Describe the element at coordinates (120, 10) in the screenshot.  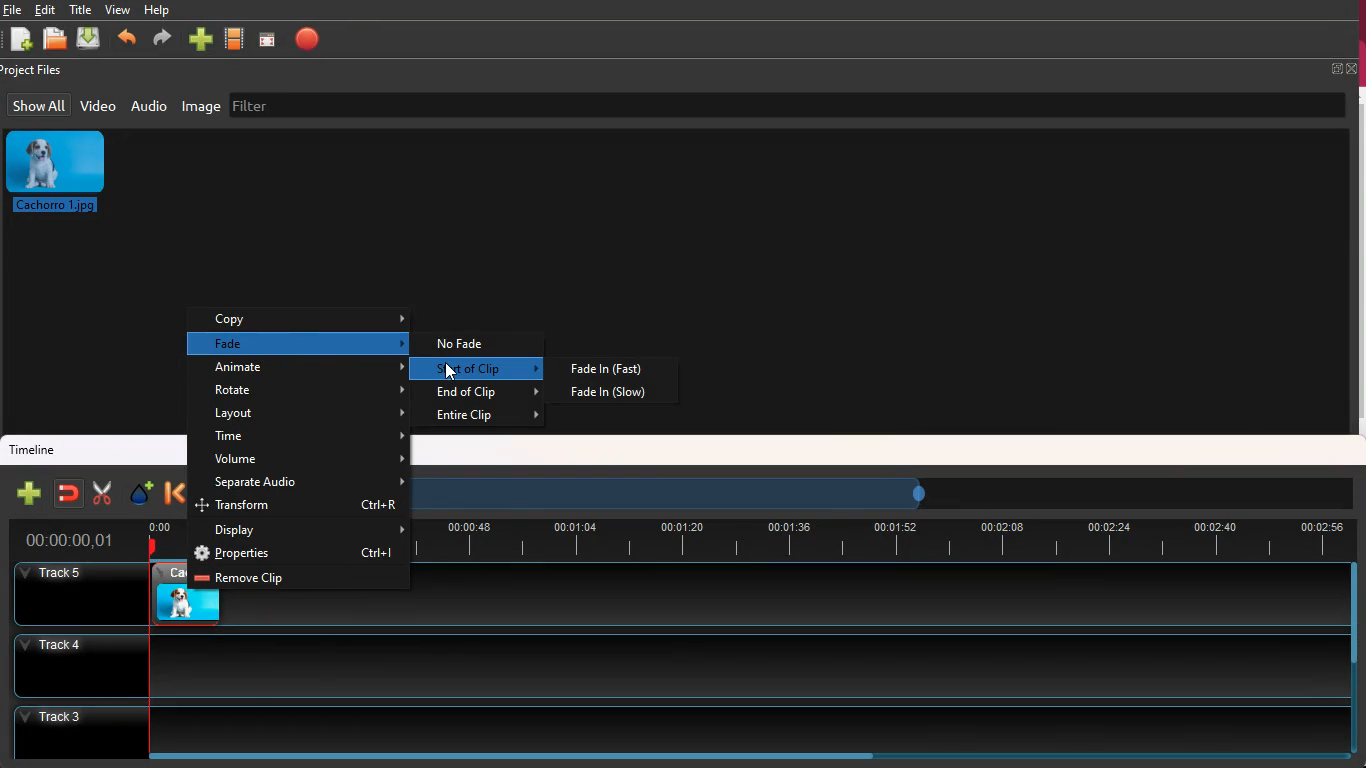
I see `view` at that location.